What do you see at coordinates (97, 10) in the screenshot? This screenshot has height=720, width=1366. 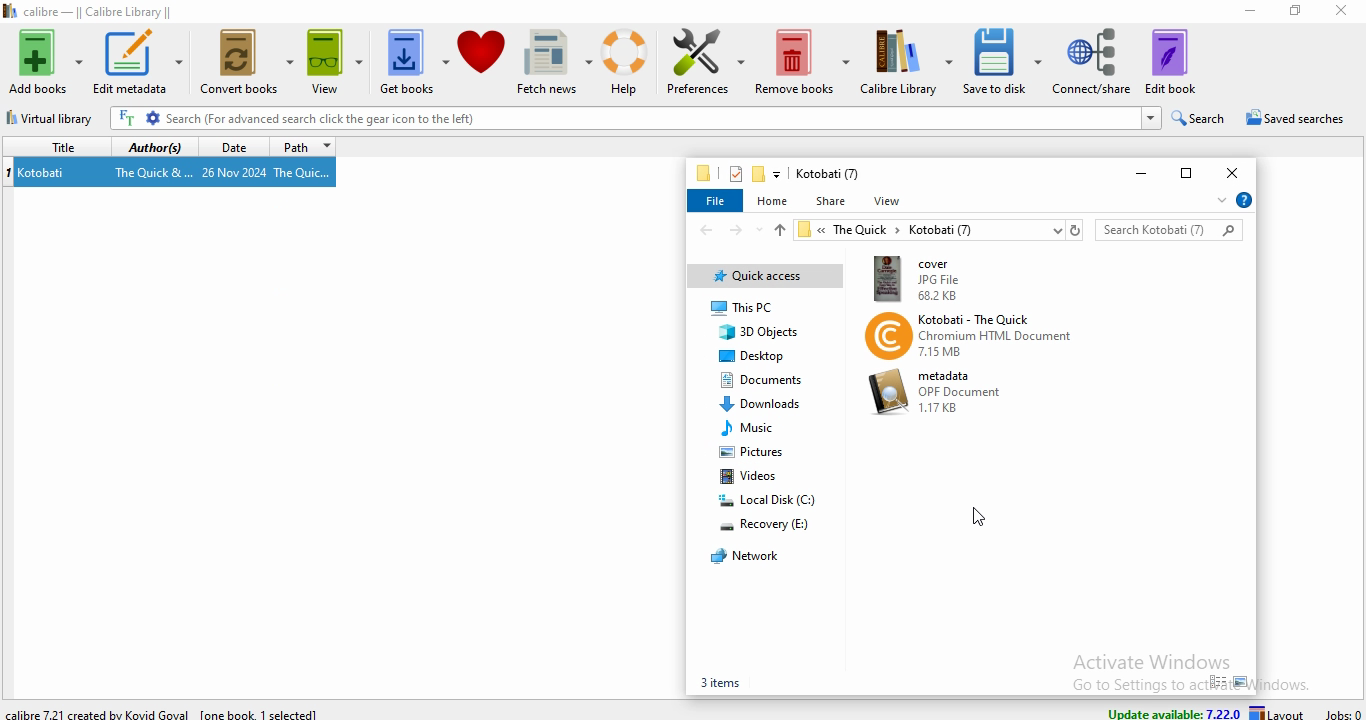 I see `calibre - || Calibre Library ||` at bounding box center [97, 10].